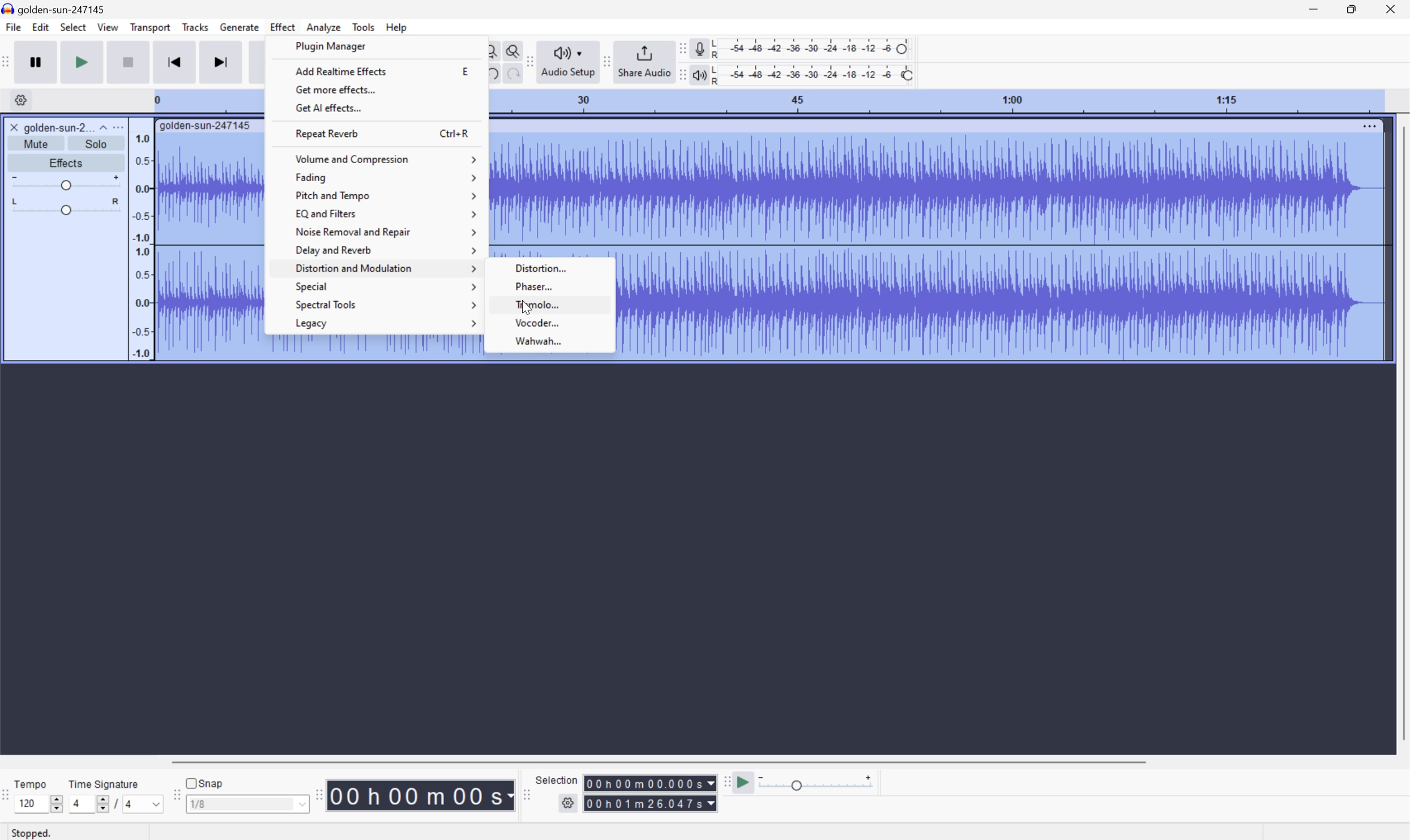 This screenshot has width=1410, height=840. I want to click on Effects, so click(67, 163).